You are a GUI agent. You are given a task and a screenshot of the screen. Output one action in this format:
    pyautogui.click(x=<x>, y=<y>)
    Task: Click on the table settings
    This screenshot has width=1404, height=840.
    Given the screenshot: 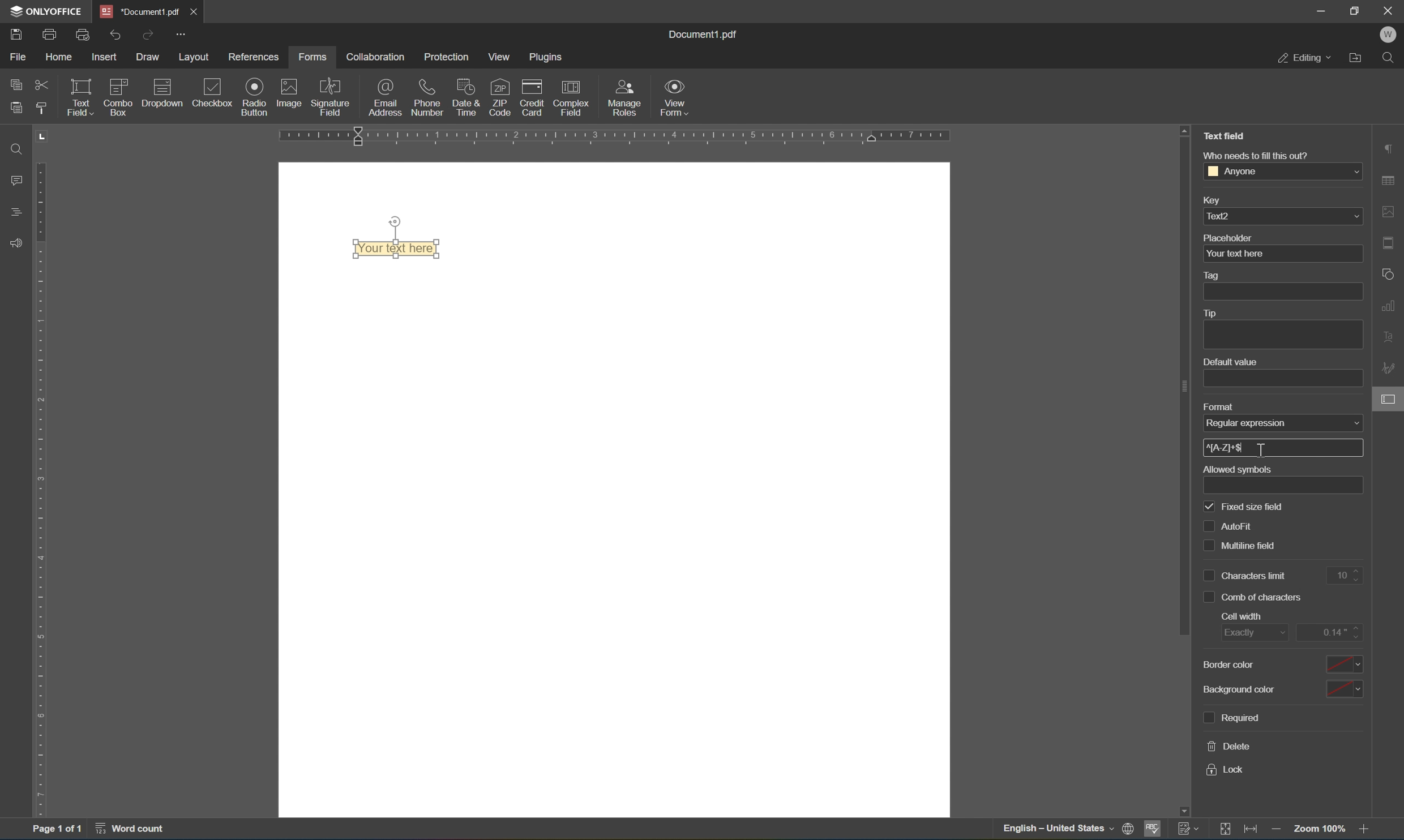 What is the action you would take?
    pyautogui.click(x=1390, y=179)
    